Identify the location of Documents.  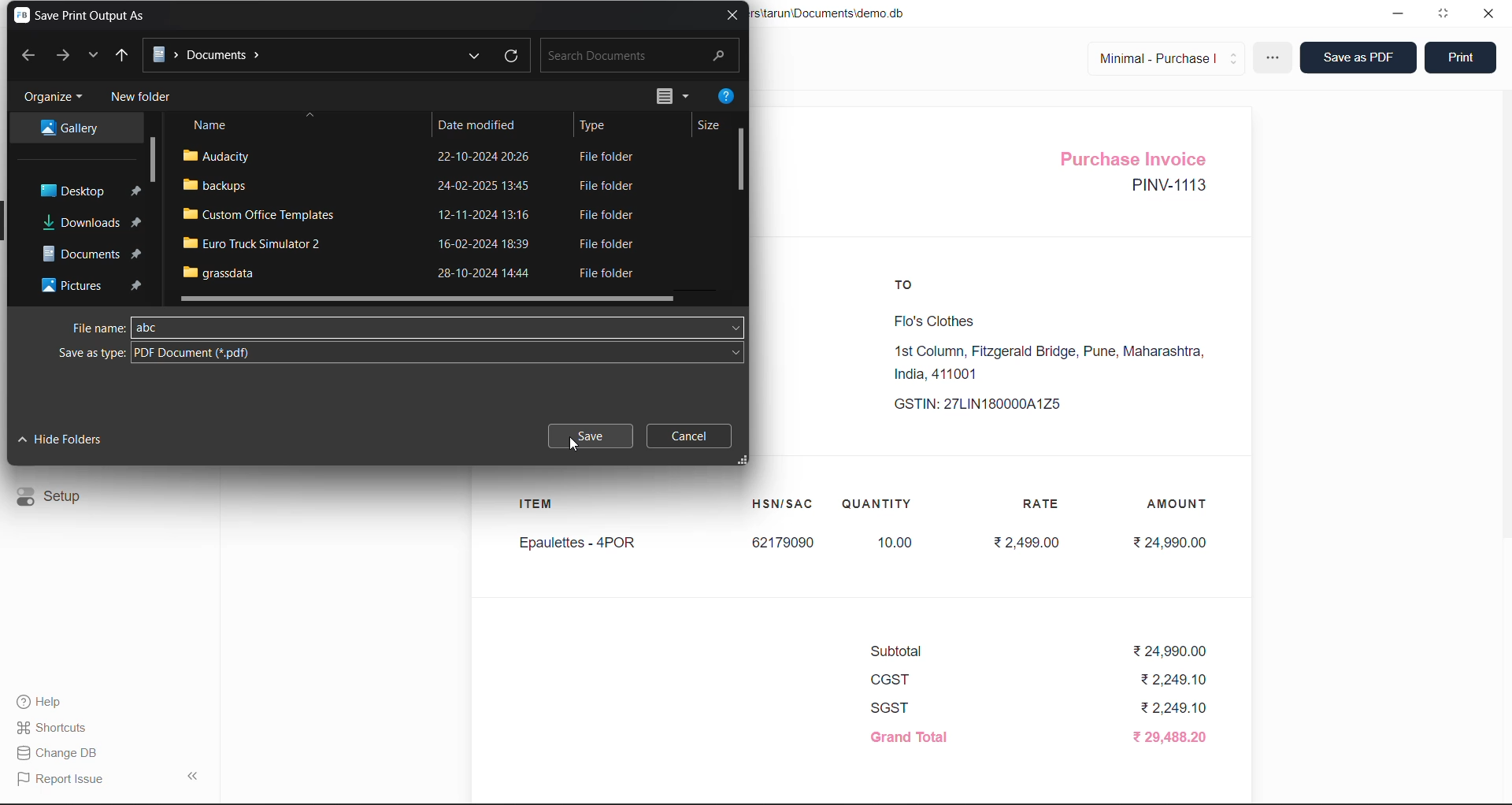
(92, 252).